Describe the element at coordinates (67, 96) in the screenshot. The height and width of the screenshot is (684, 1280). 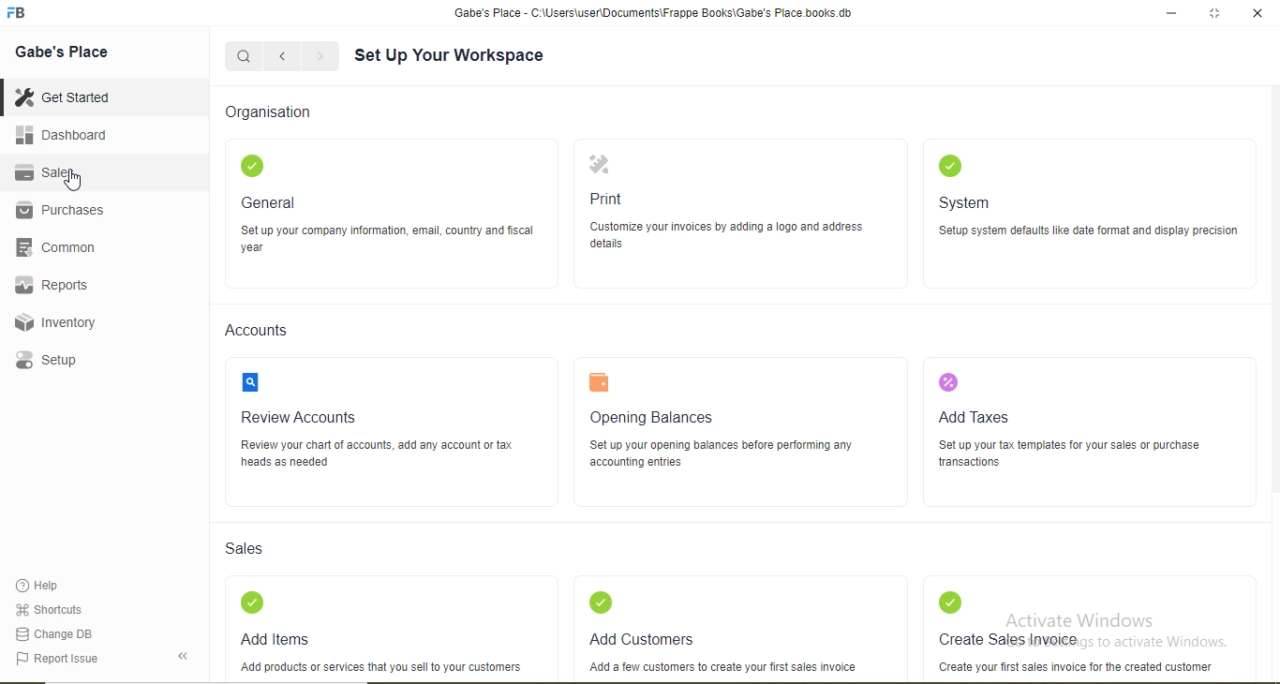
I see `Get Started` at that location.